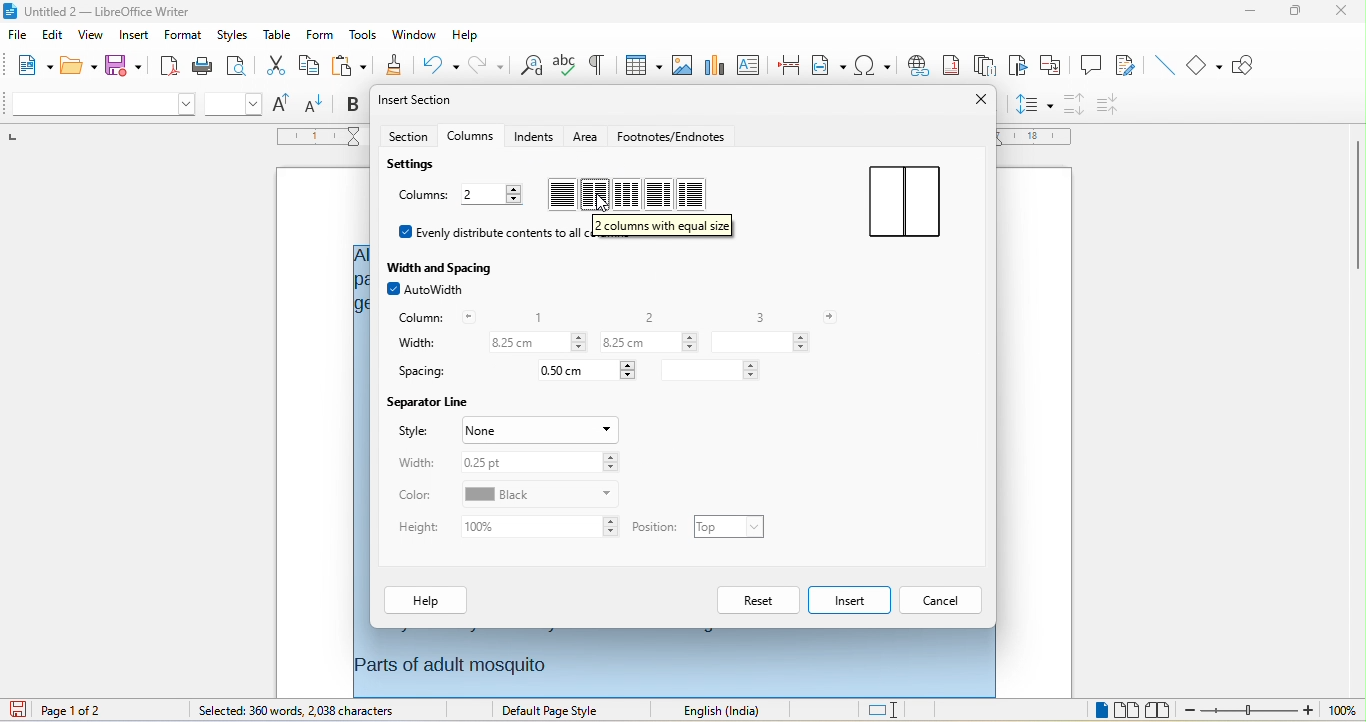  What do you see at coordinates (417, 495) in the screenshot?
I see `color` at bounding box center [417, 495].